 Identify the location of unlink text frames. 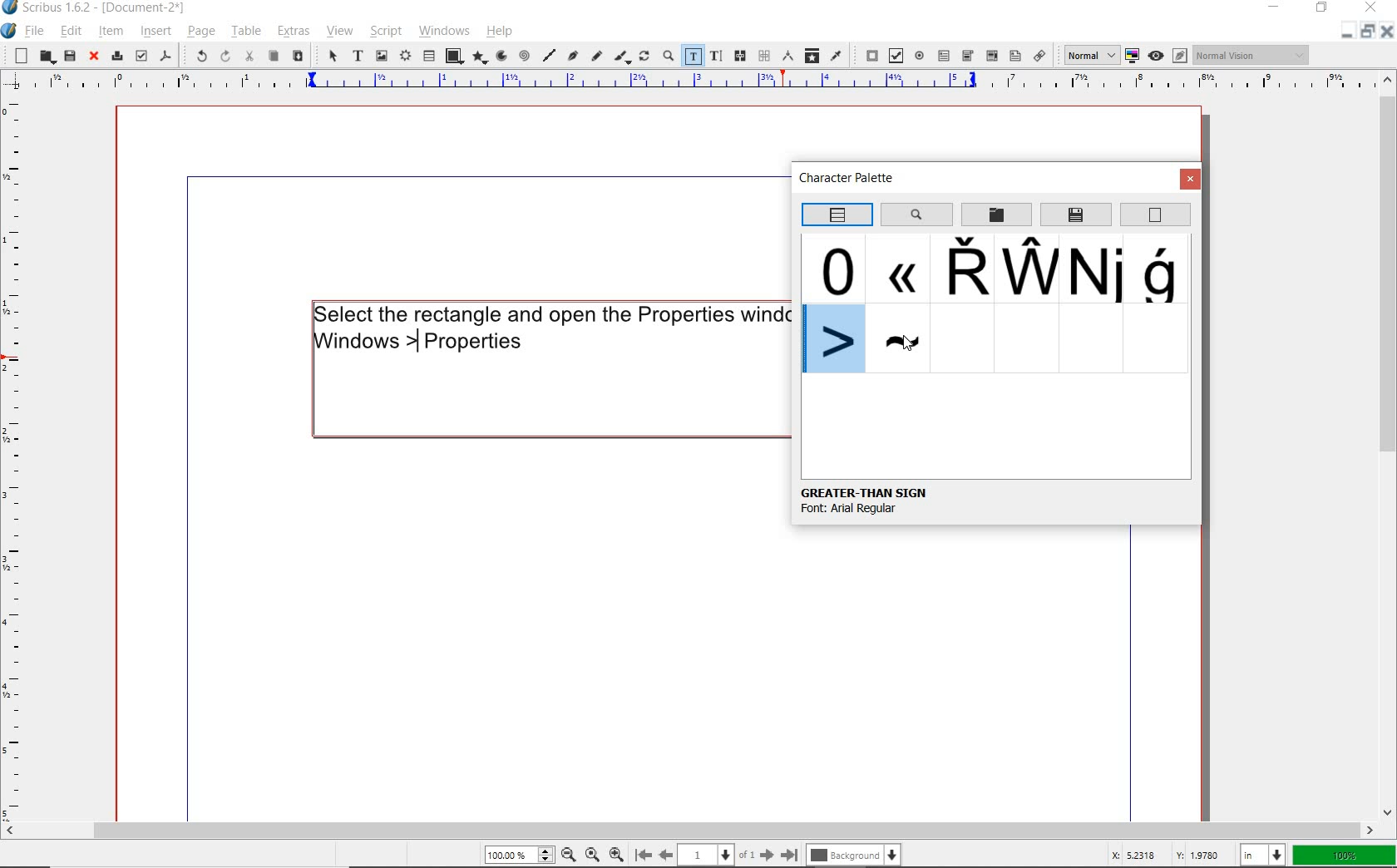
(763, 56).